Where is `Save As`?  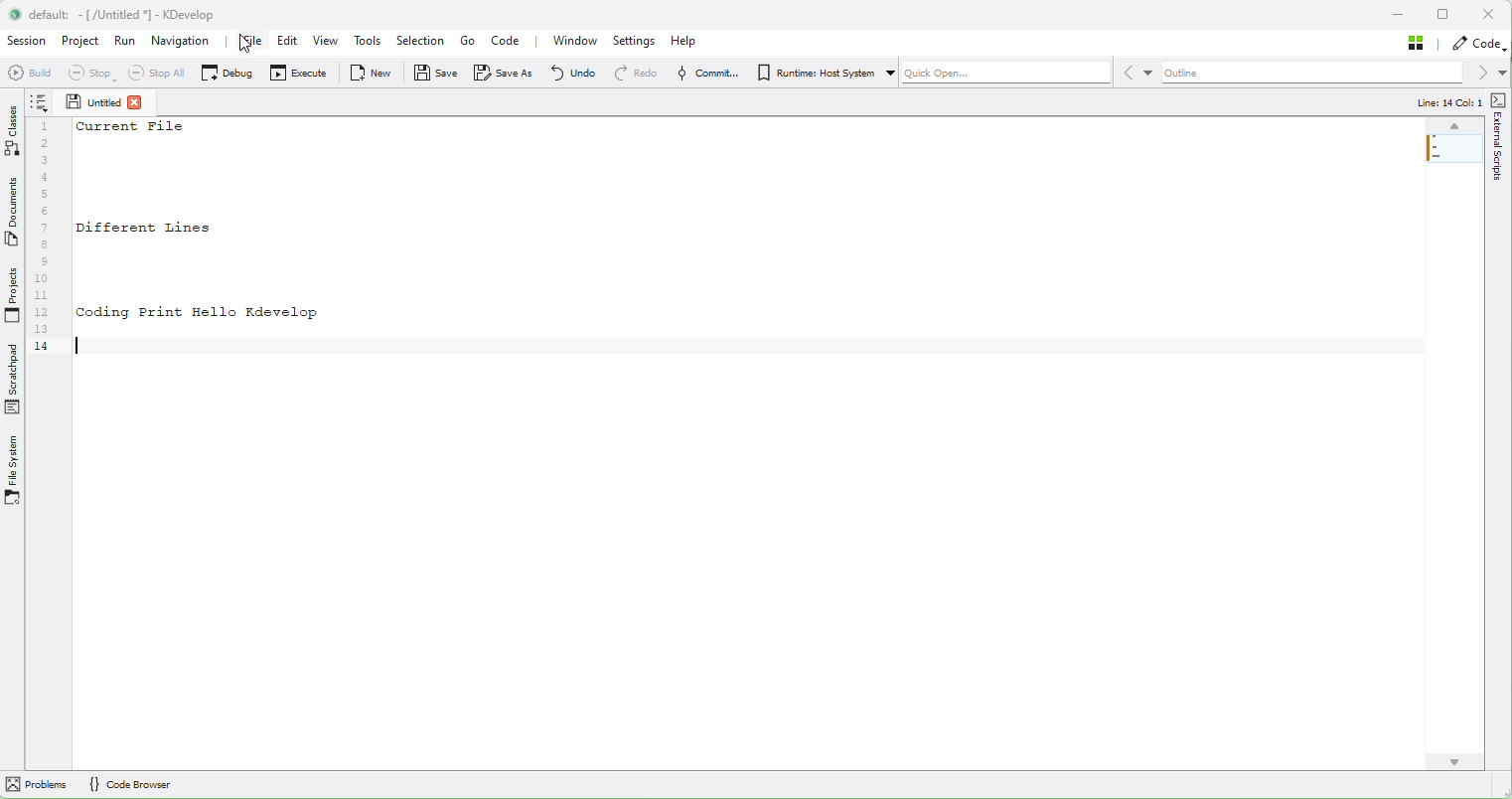 Save As is located at coordinates (504, 74).